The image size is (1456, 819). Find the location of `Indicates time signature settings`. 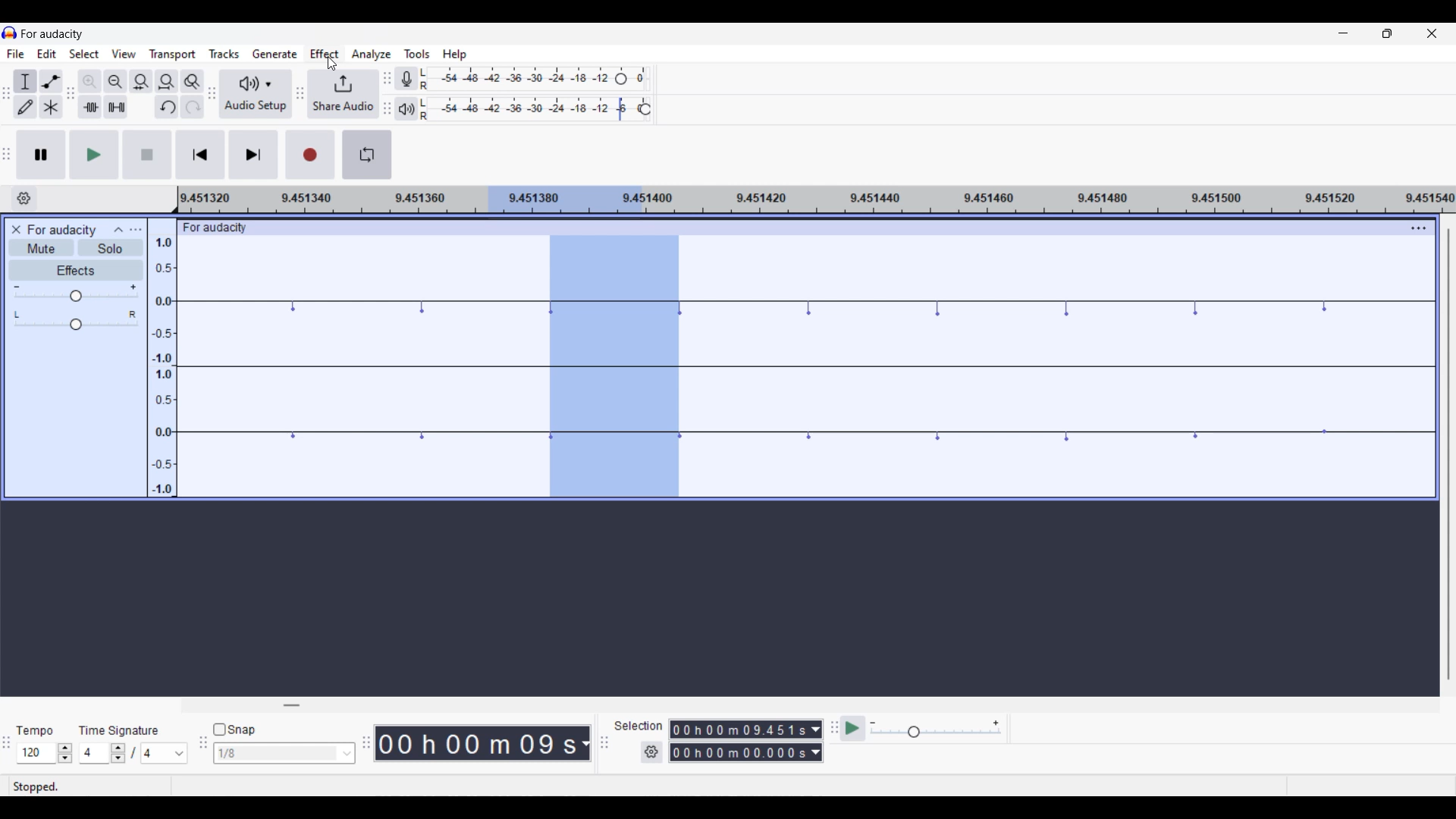

Indicates time signature settings is located at coordinates (118, 731).